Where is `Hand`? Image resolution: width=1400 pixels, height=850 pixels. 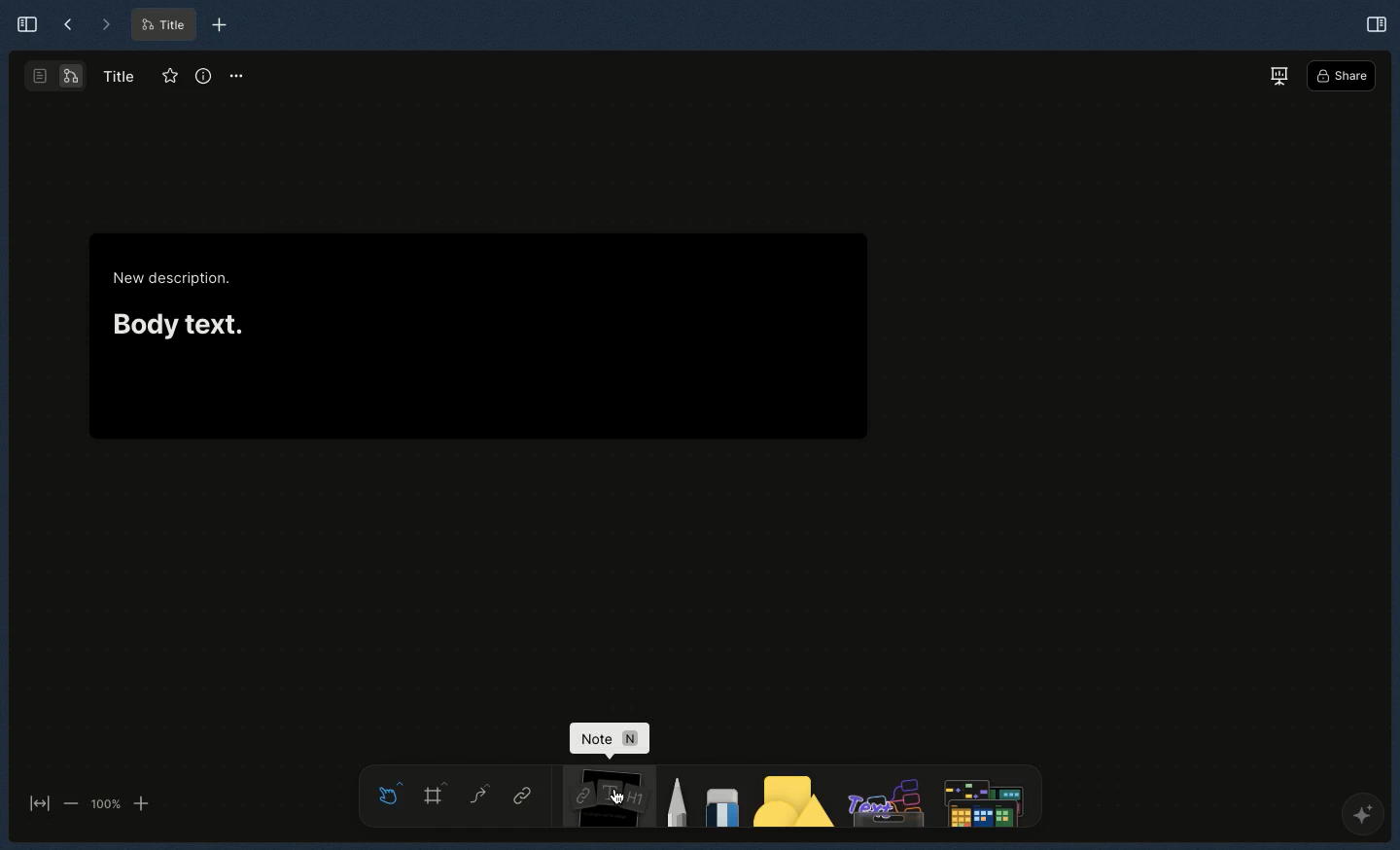
Hand is located at coordinates (385, 791).